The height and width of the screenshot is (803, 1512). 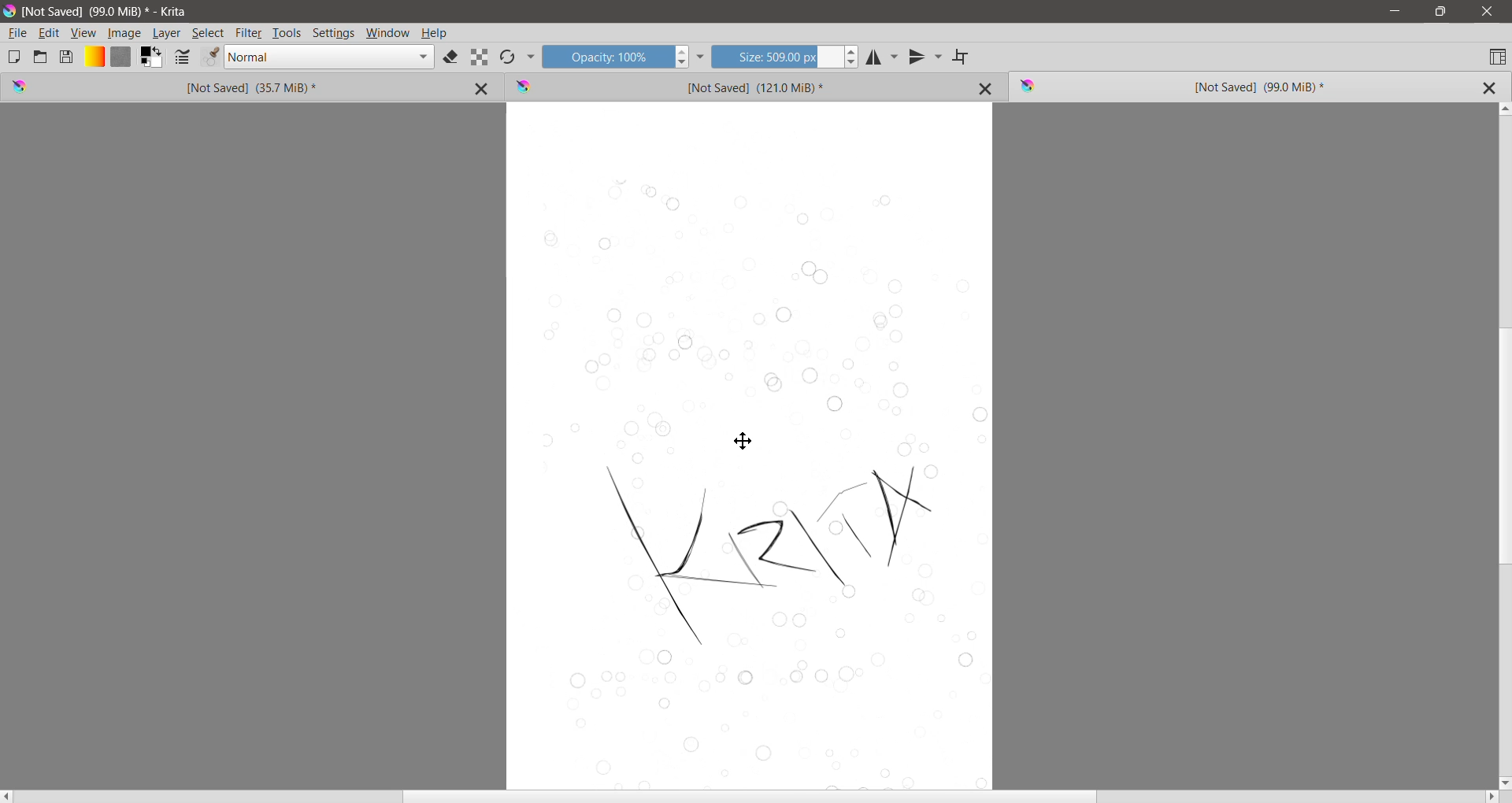 What do you see at coordinates (334, 34) in the screenshot?
I see `Settings` at bounding box center [334, 34].